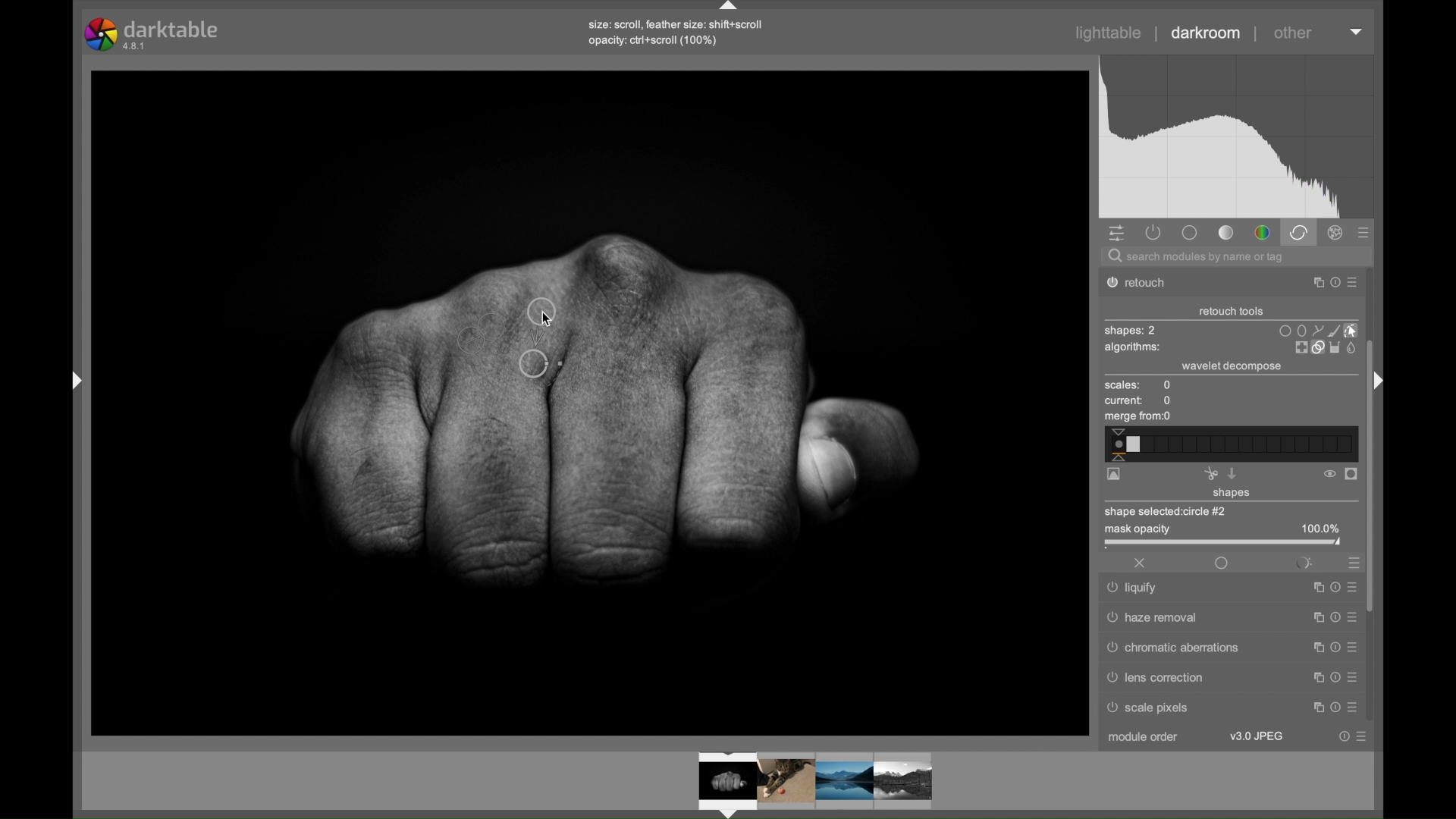 Image resolution: width=1456 pixels, height=819 pixels. I want to click on help, so click(1332, 617).